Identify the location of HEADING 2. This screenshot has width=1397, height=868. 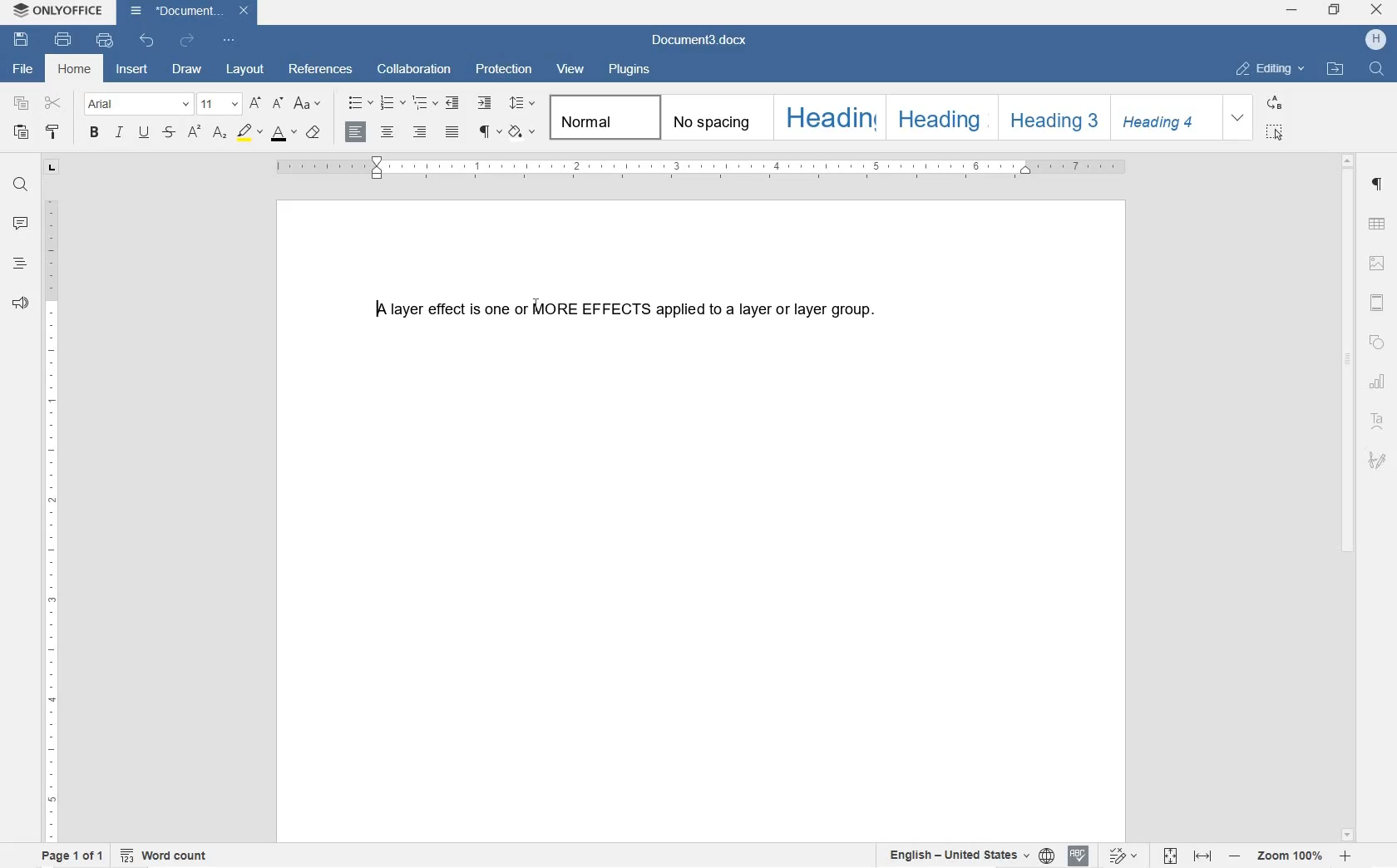
(937, 116).